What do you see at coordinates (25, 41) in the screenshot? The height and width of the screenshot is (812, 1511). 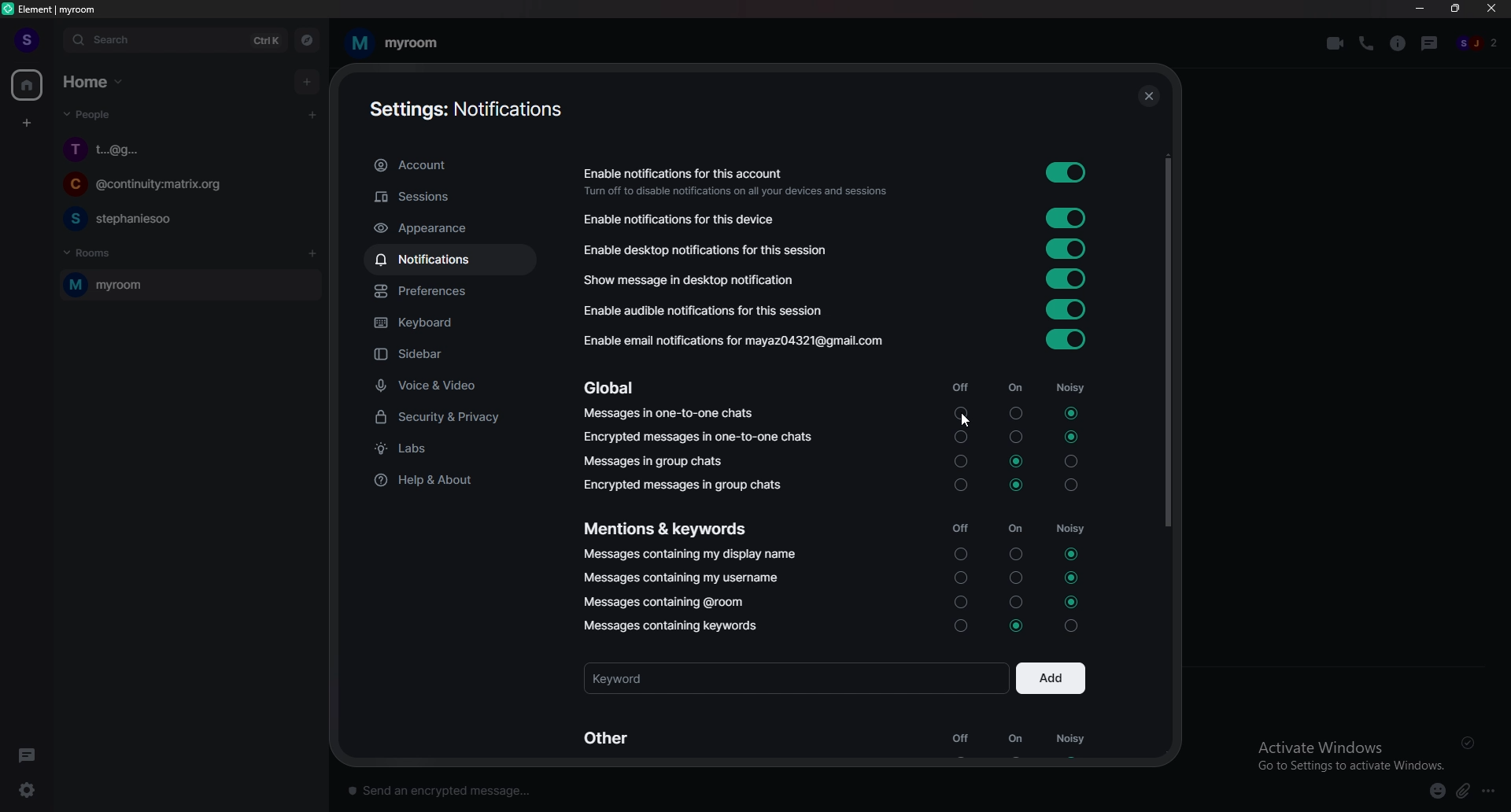 I see `profile` at bounding box center [25, 41].